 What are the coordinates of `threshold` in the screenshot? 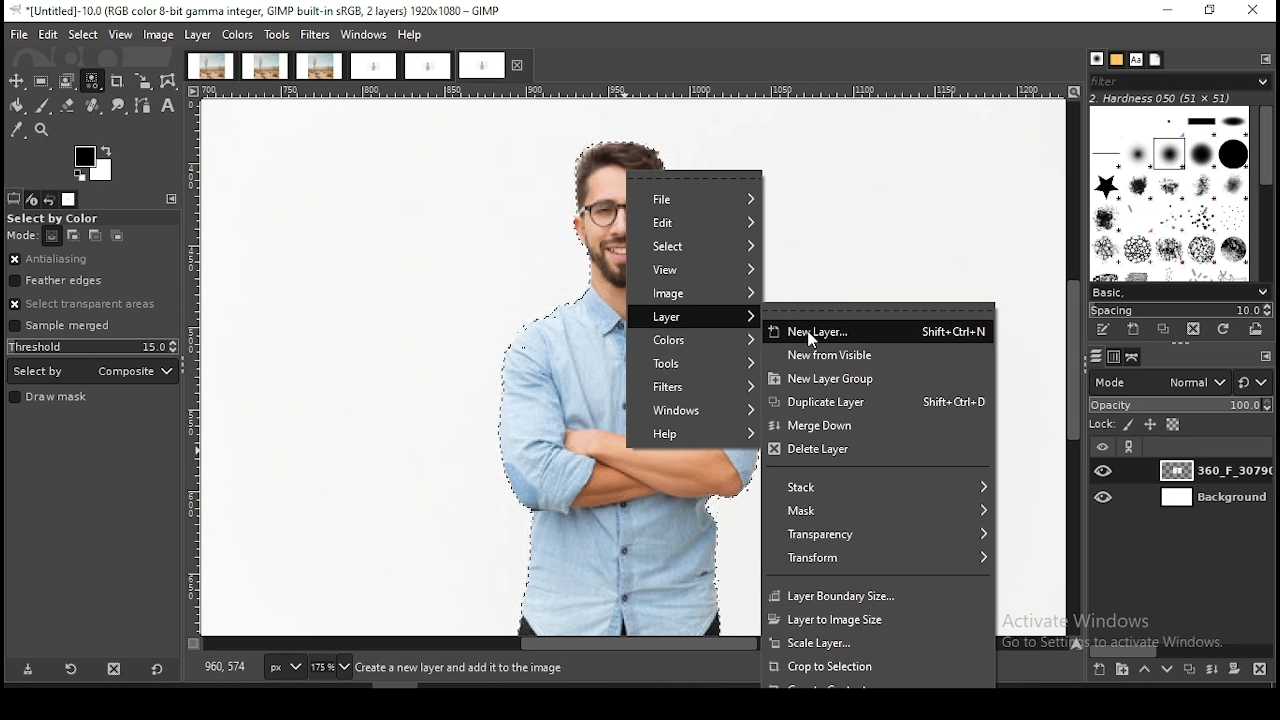 It's located at (93, 346).